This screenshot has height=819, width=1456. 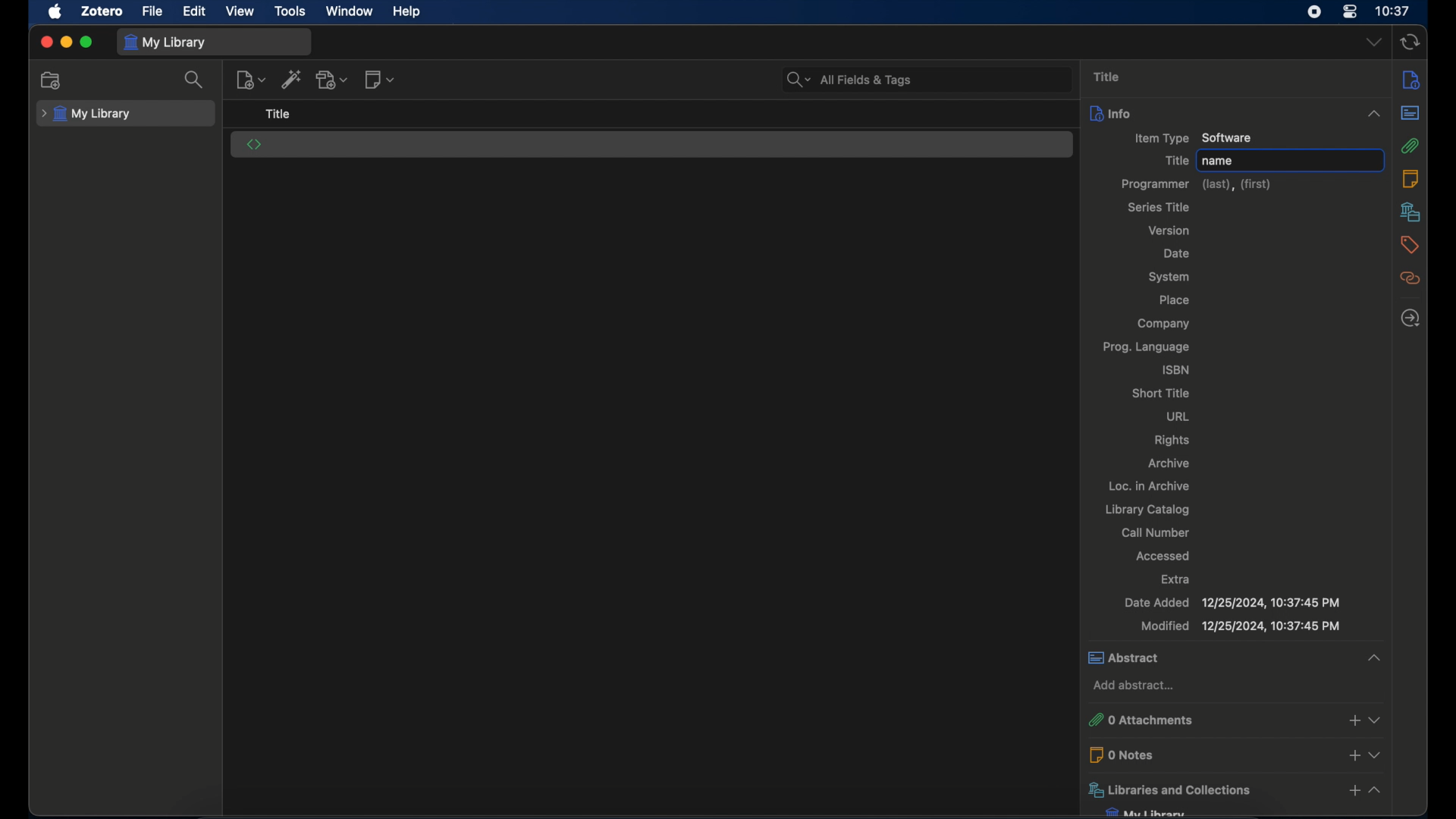 What do you see at coordinates (1164, 555) in the screenshot?
I see `accessed` at bounding box center [1164, 555].